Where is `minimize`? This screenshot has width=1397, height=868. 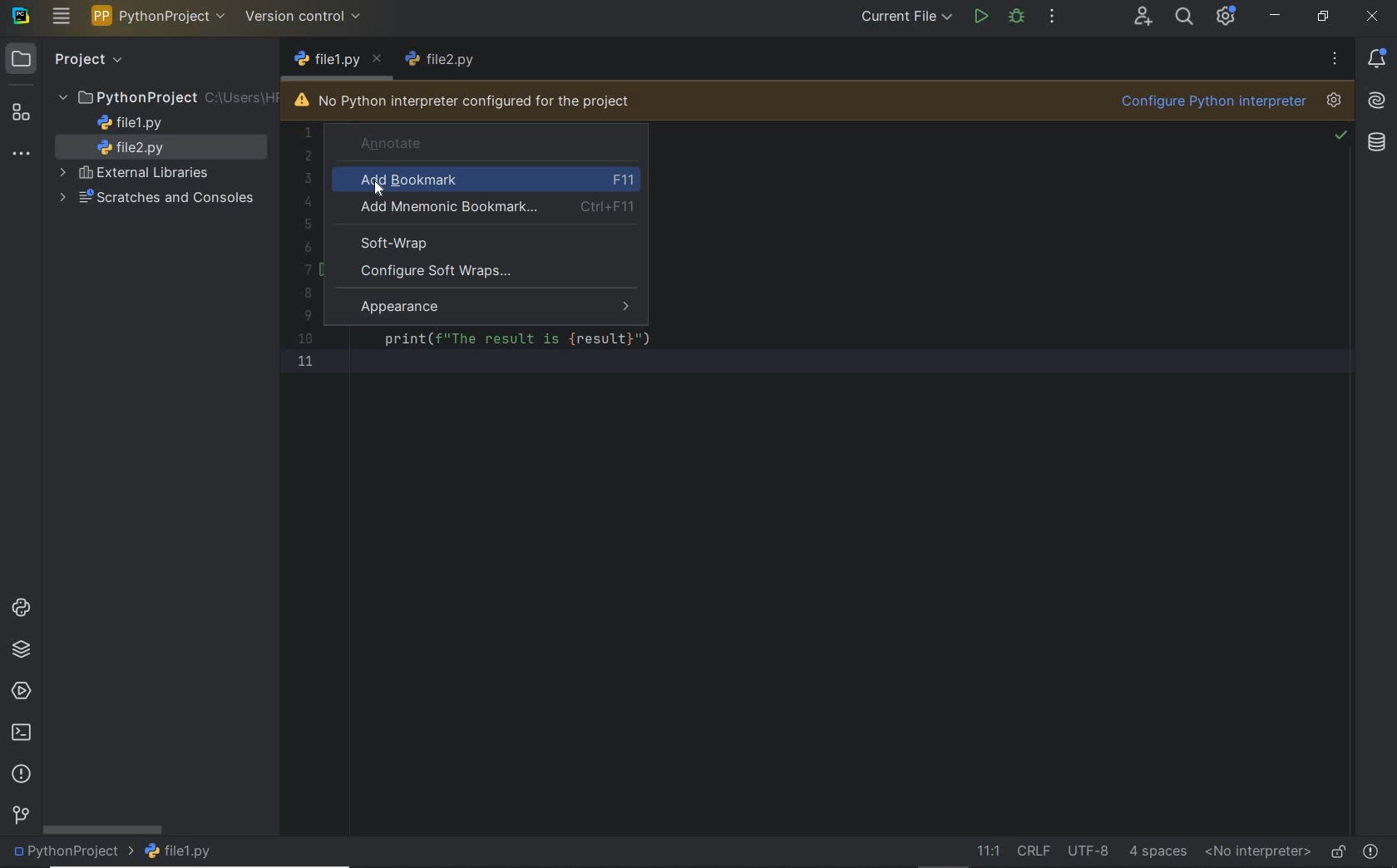
minimize is located at coordinates (1275, 16).